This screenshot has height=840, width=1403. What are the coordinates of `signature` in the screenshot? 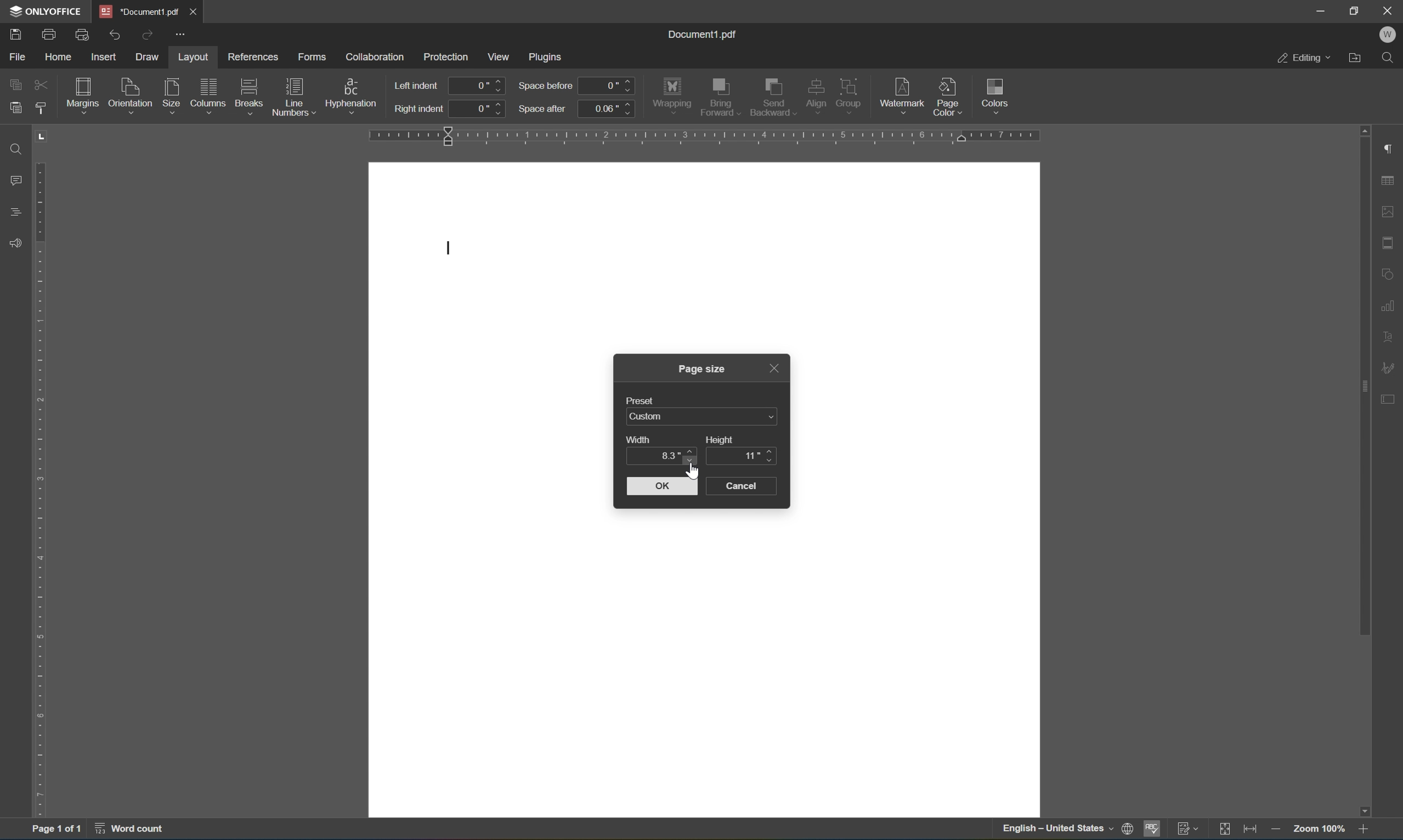 It's located at (1391, 366).